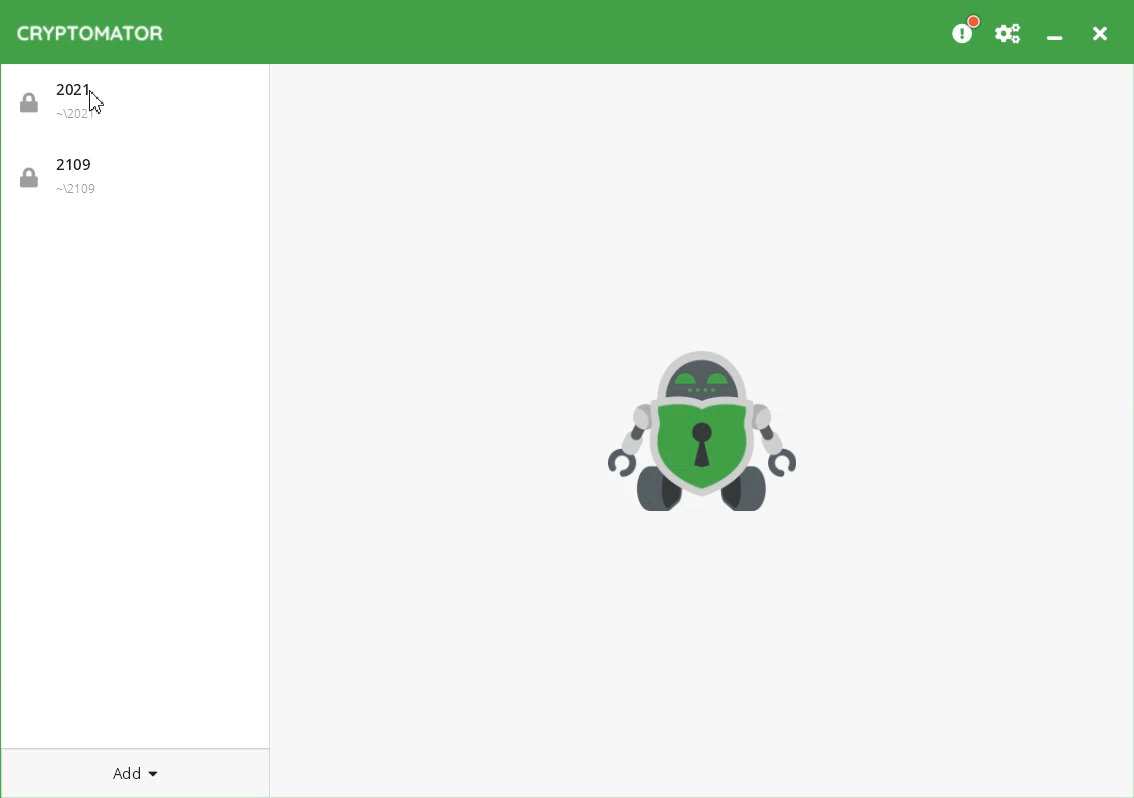  Describe the element at coordinates (135, 101) in the screenshot. I see `2021 - Vault` at that location.